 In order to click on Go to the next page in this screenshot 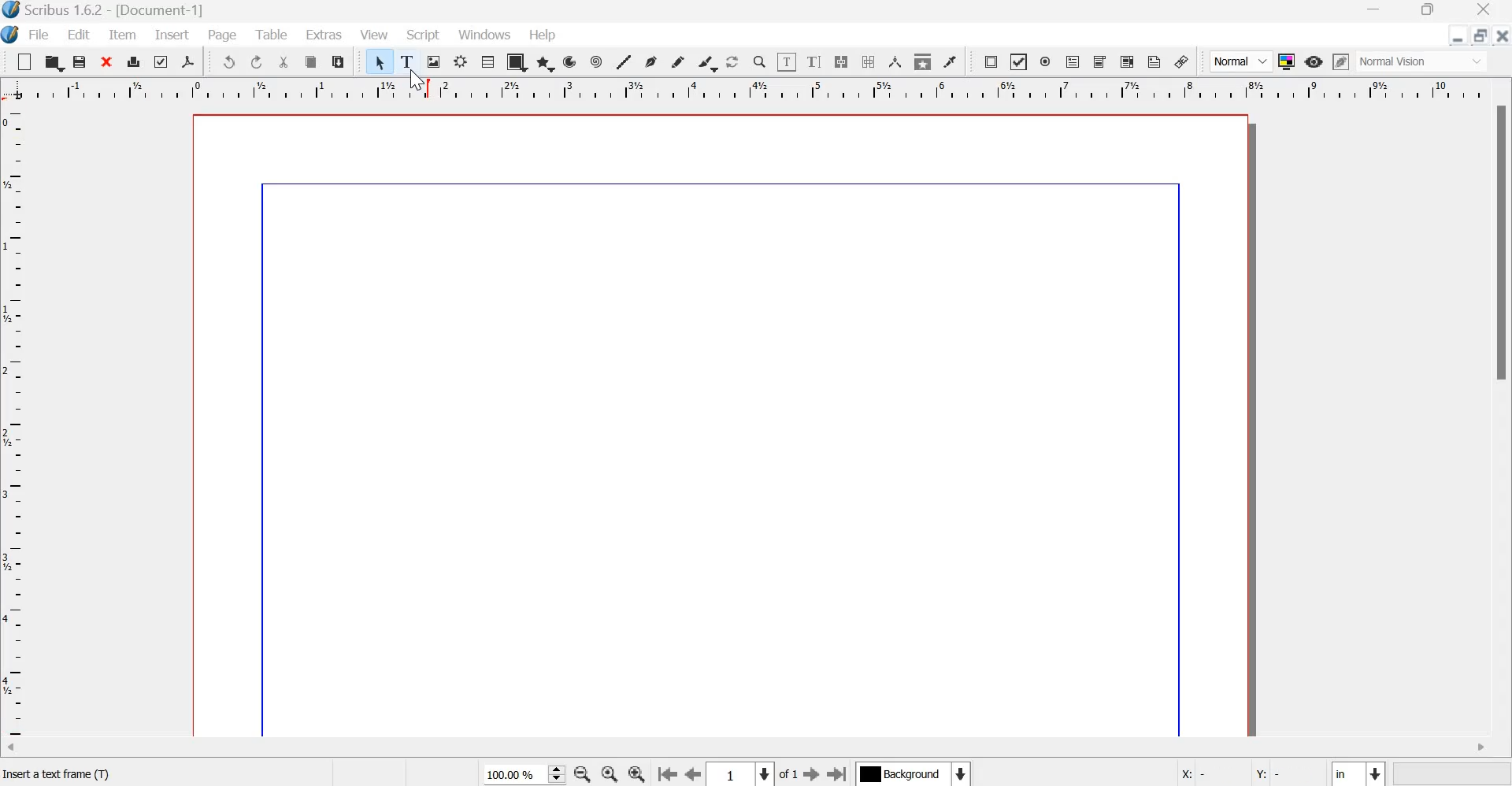, I will do `click(800, 774)`.